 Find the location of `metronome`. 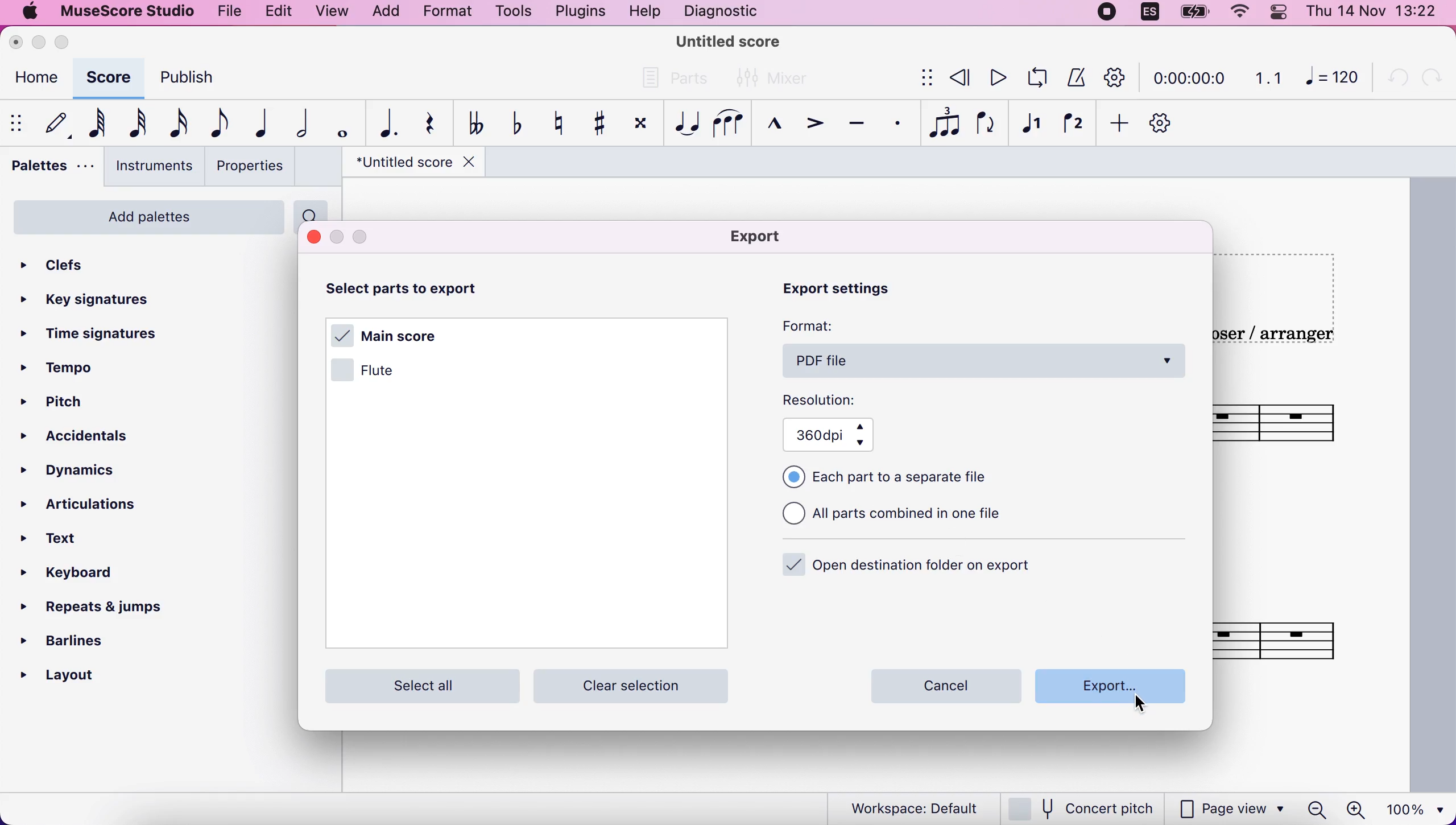

metronome is located at coordinates (1074, 78).